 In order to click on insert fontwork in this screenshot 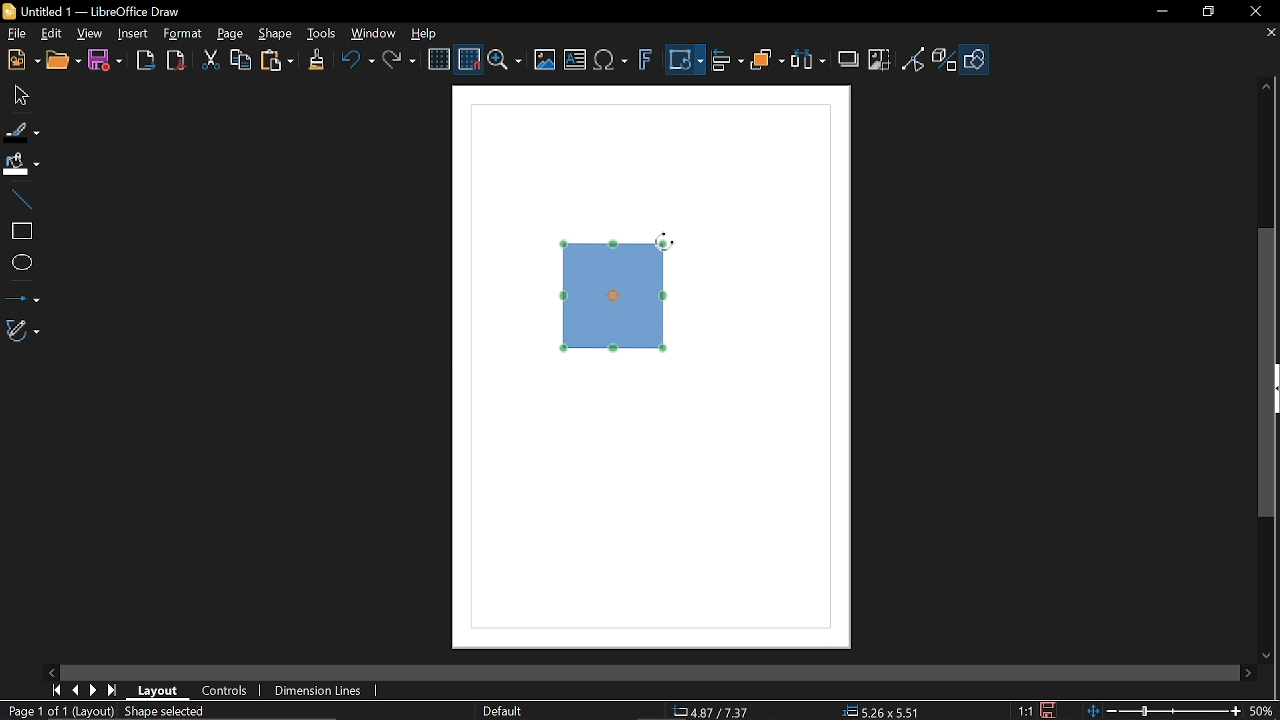, I will do `click(643, 60)`.